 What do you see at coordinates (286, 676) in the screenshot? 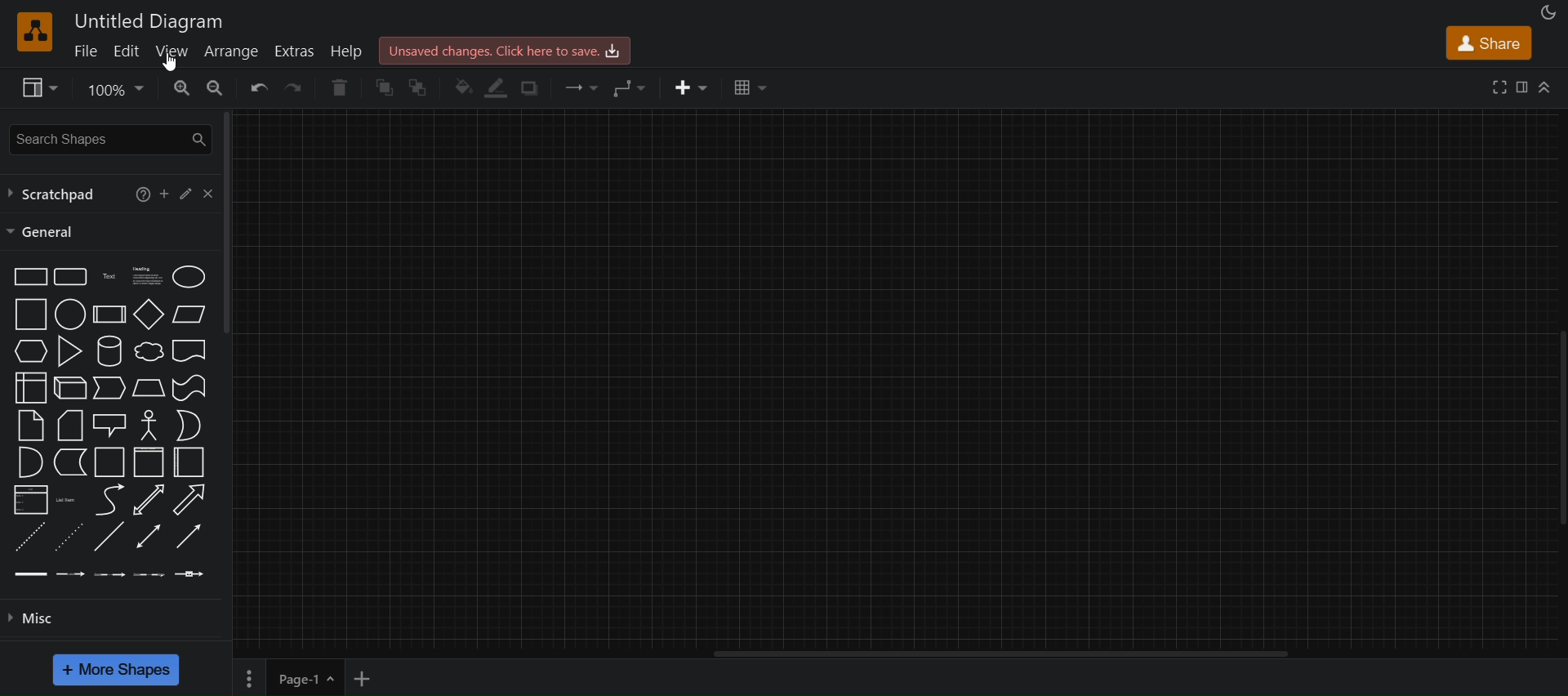
I see `` at bounding box center [286, 676].